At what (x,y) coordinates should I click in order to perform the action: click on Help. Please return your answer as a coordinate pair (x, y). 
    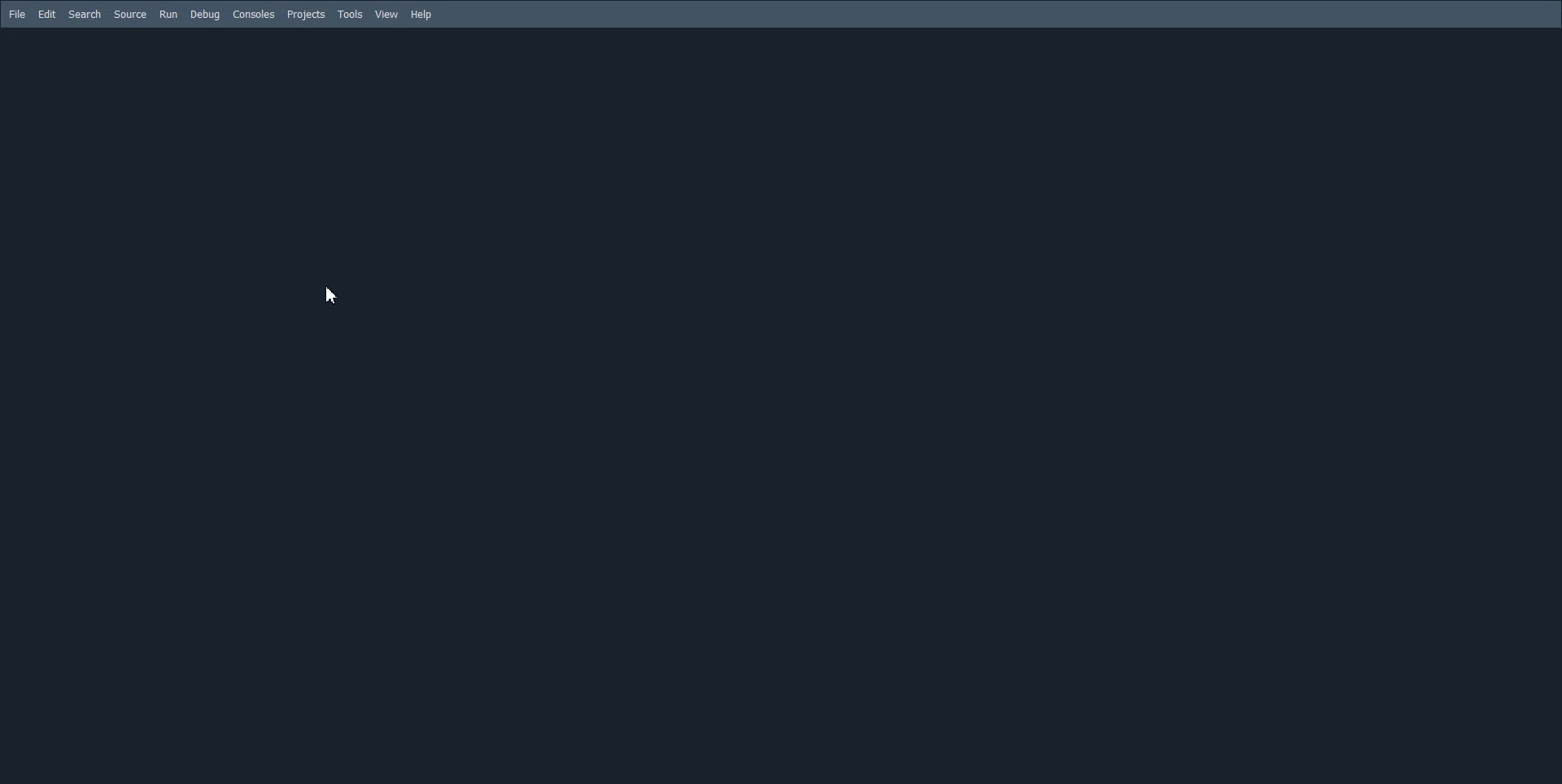
    Looking at the image, I should click on (421, 14).